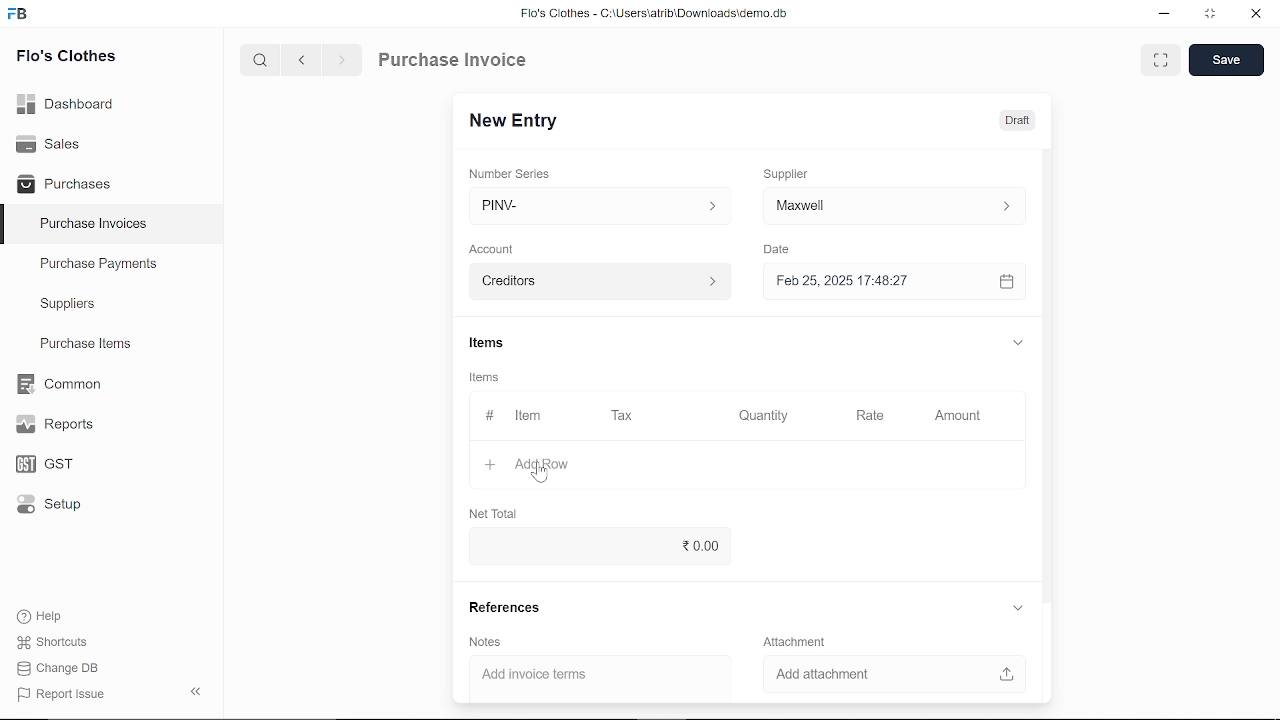 The height and width of the screenshot is (720, 1280). Describe the element at coordinates (594, 546) in the screenshot. I see `0.00` at that location.